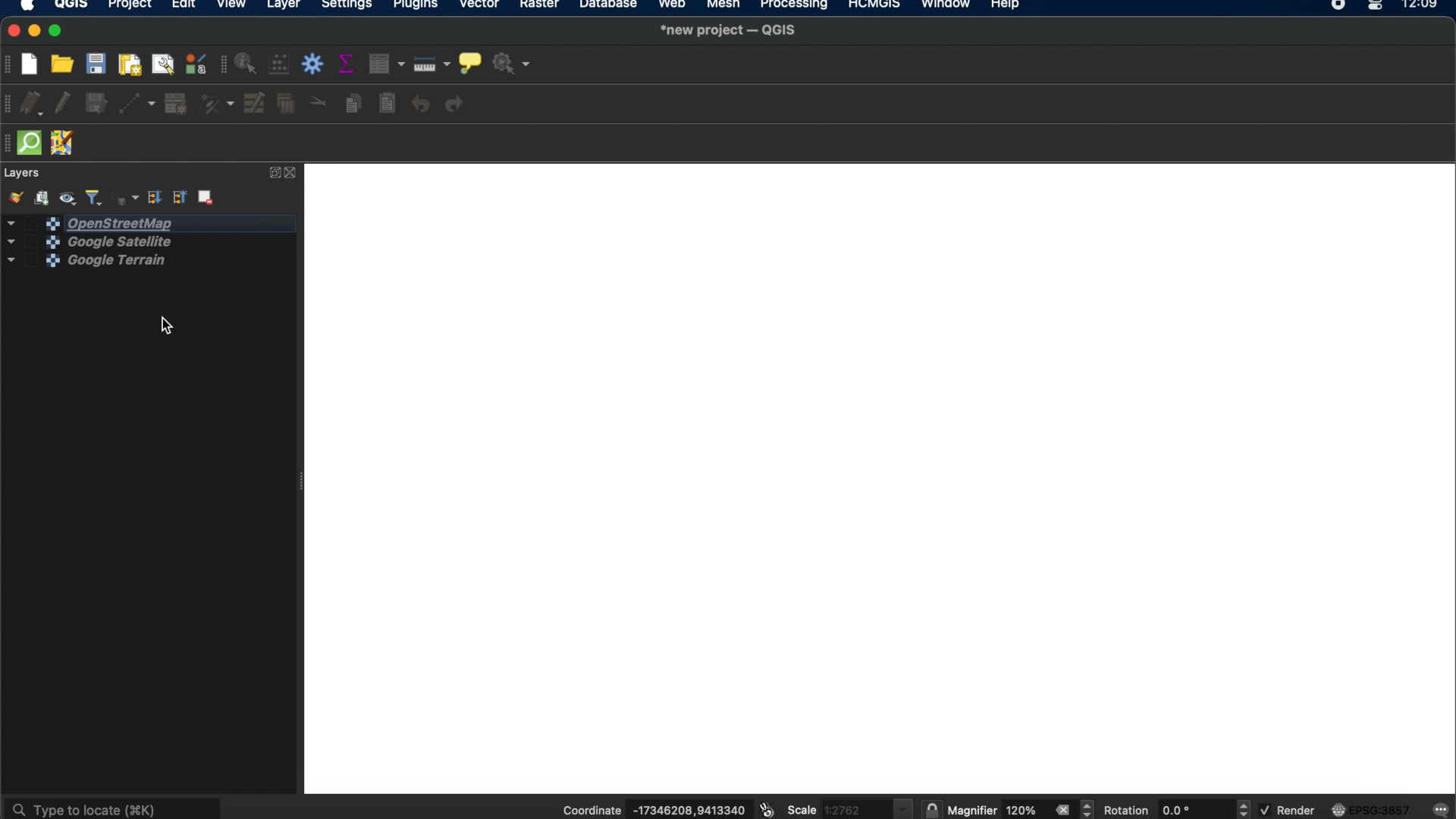  What do you see at coordinates (36, 105) in the screenshot?
I see `current edits` at bounding box center [36, 105].